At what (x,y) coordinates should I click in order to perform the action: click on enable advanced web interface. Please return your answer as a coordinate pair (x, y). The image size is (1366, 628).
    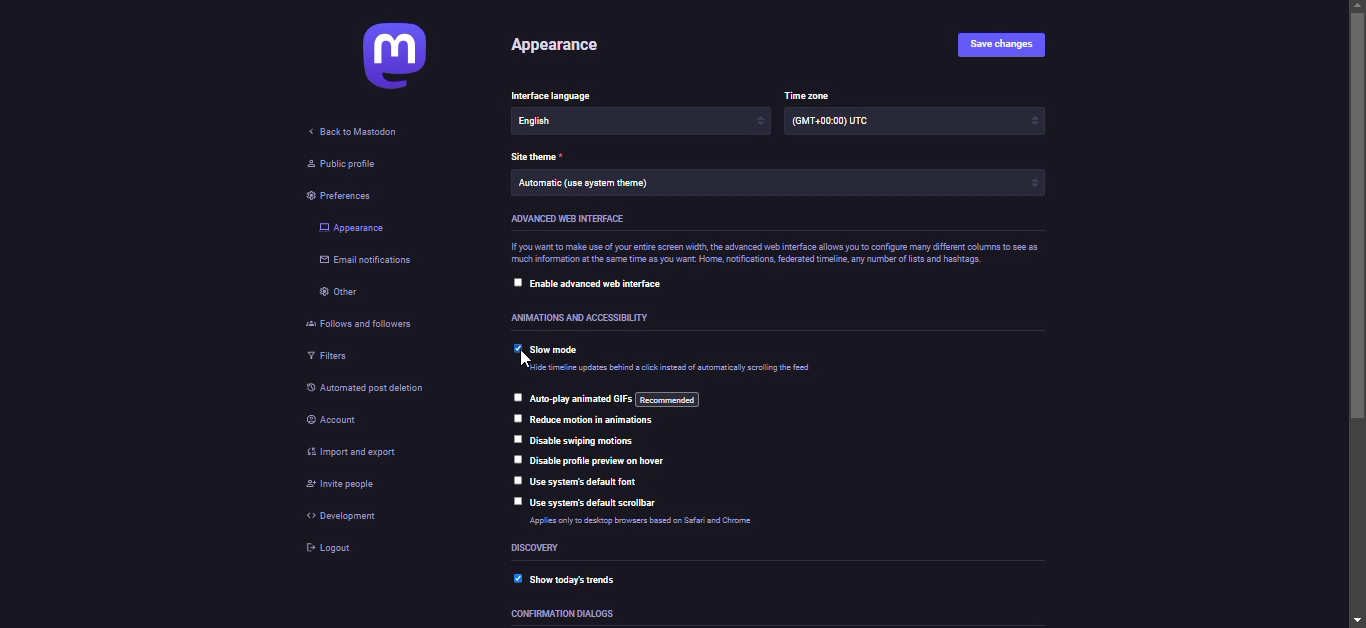
    Looking at the image, I should click on (600, 286).